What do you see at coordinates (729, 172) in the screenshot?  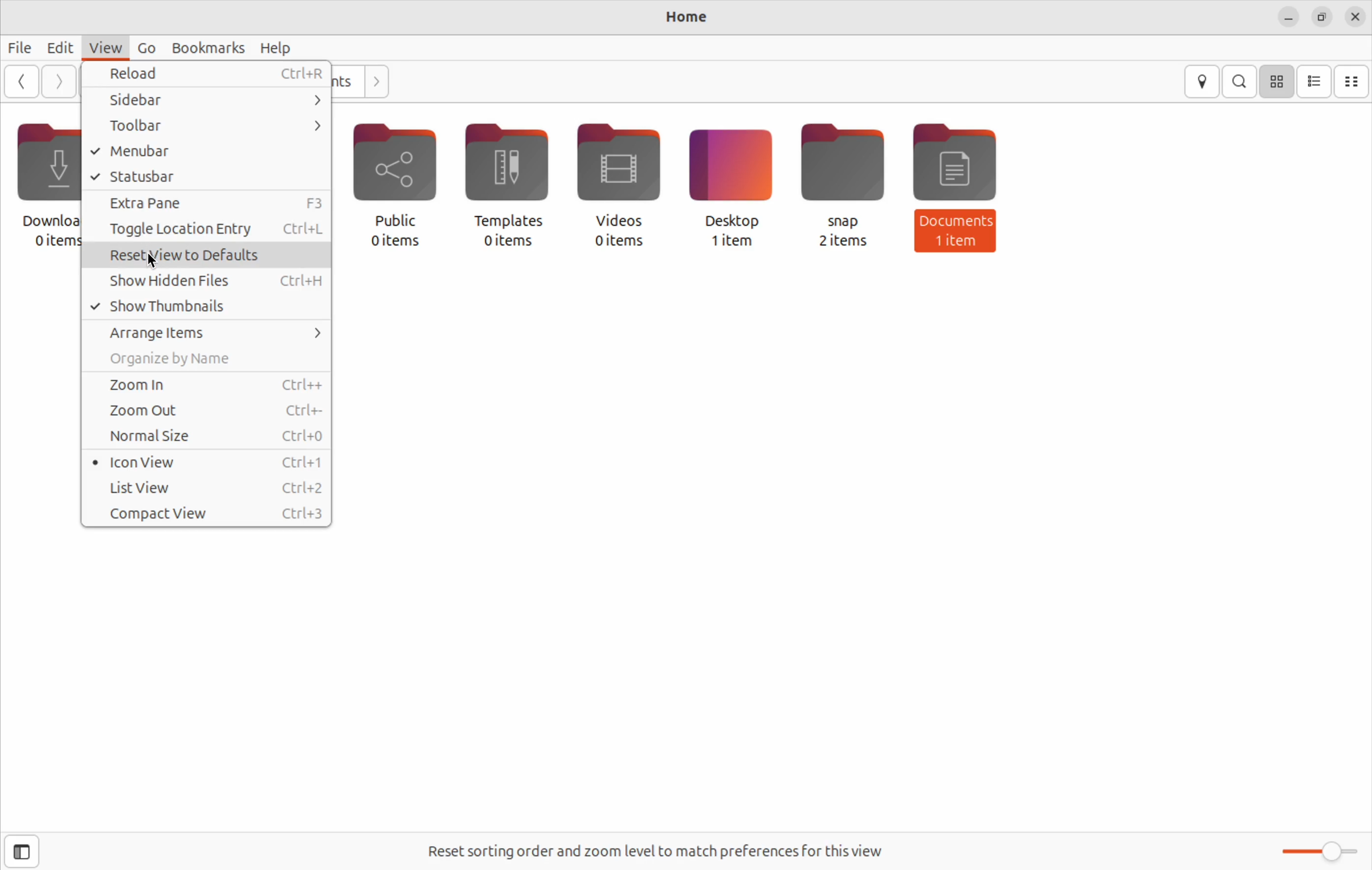 I see `Desktop` at bounding box center [729, 172].